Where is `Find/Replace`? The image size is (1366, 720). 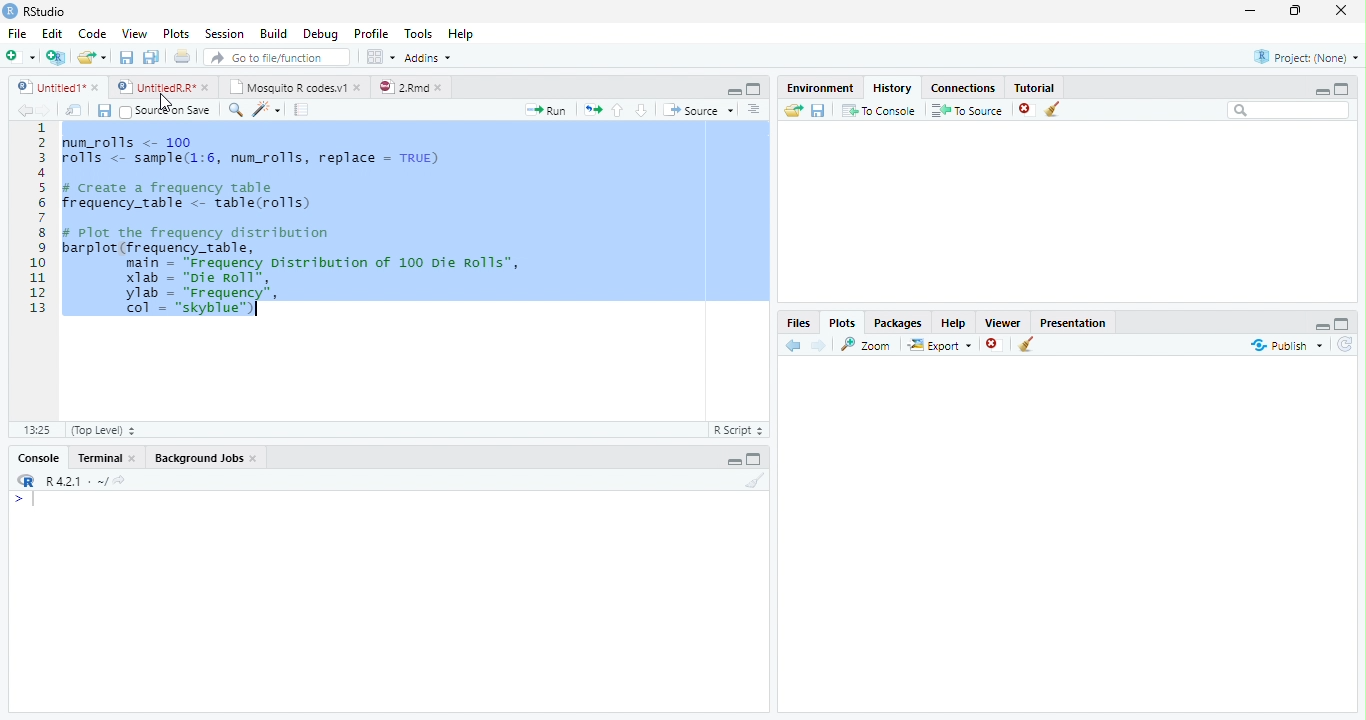
Find/Replace is located at coordinates (233, 110).